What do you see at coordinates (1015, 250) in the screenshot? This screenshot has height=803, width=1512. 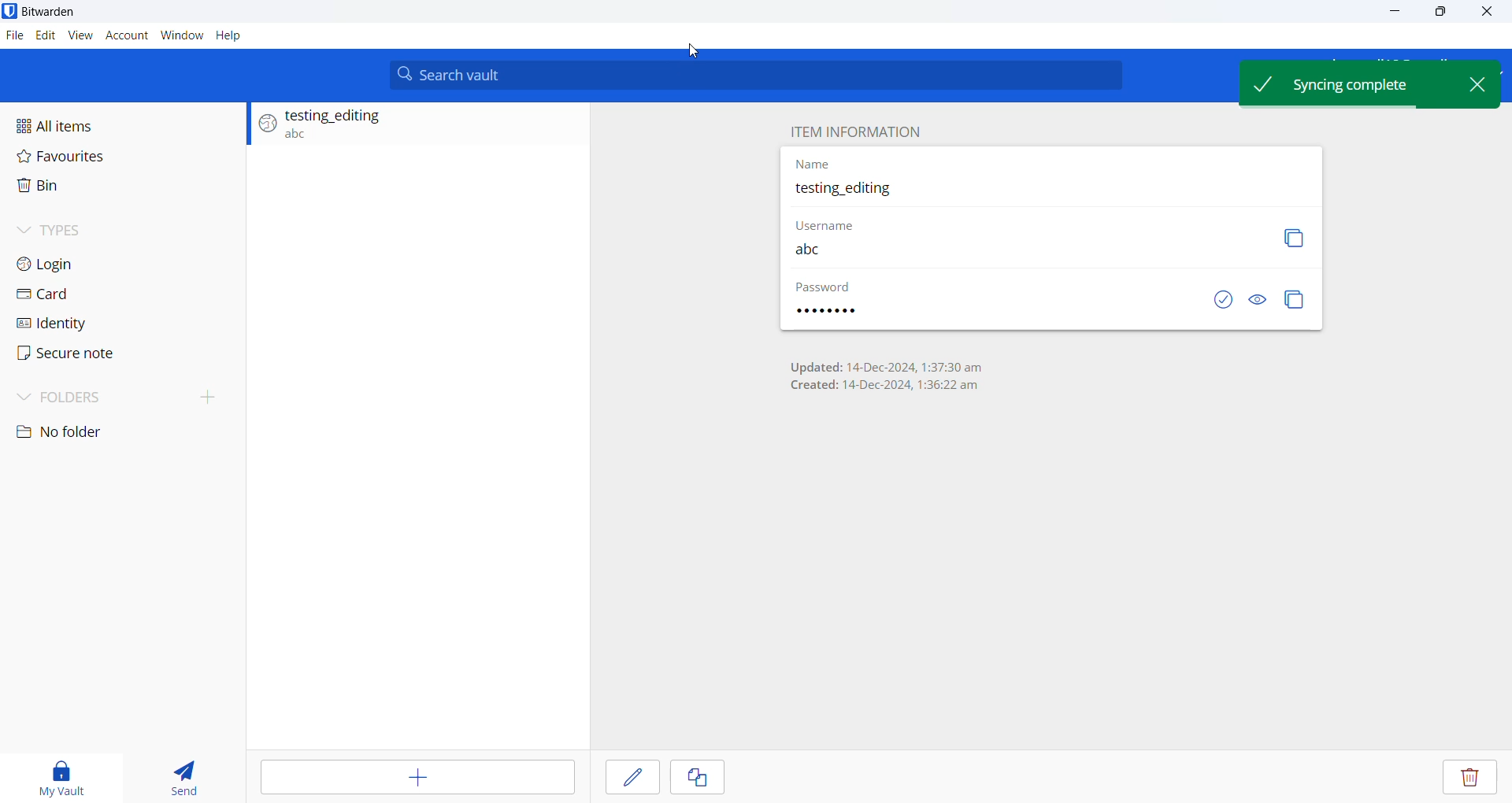 I see `Username entered` at bounding box center [1015, 250].